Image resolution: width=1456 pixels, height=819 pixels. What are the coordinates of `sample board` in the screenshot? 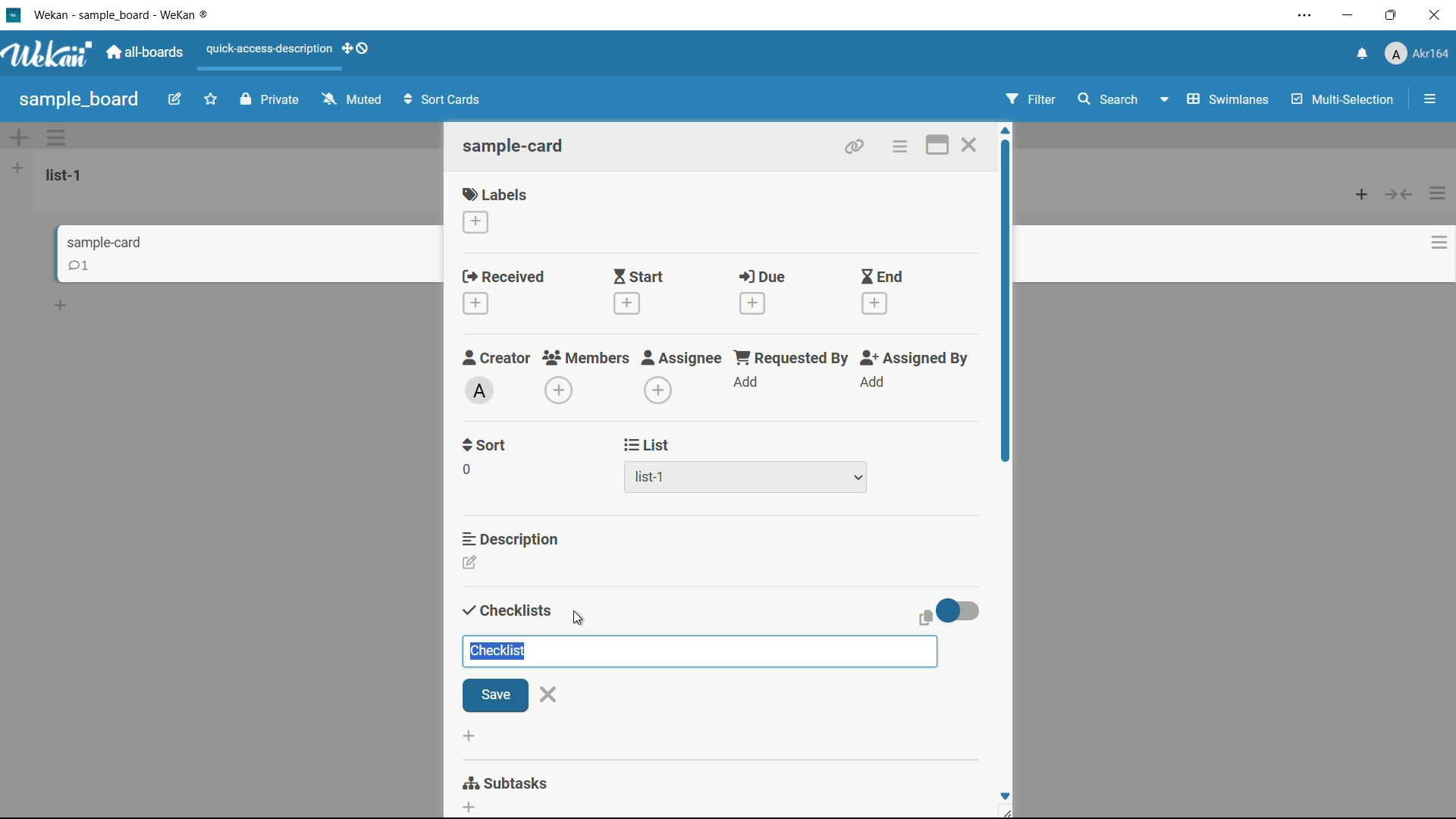 It's located at (78, 99).